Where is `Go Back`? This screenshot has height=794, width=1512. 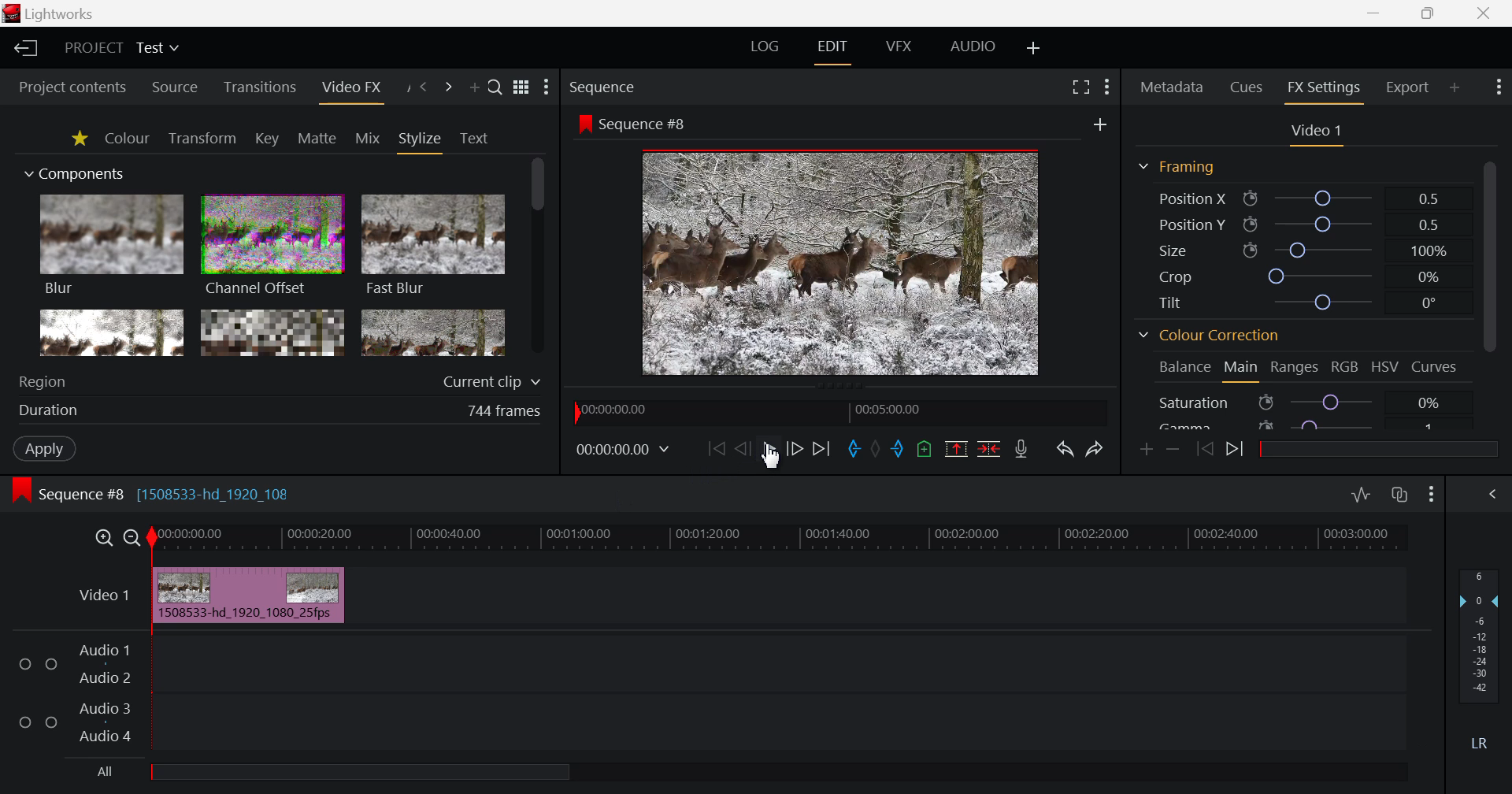
Go Back is located at coordinates (742, 447).